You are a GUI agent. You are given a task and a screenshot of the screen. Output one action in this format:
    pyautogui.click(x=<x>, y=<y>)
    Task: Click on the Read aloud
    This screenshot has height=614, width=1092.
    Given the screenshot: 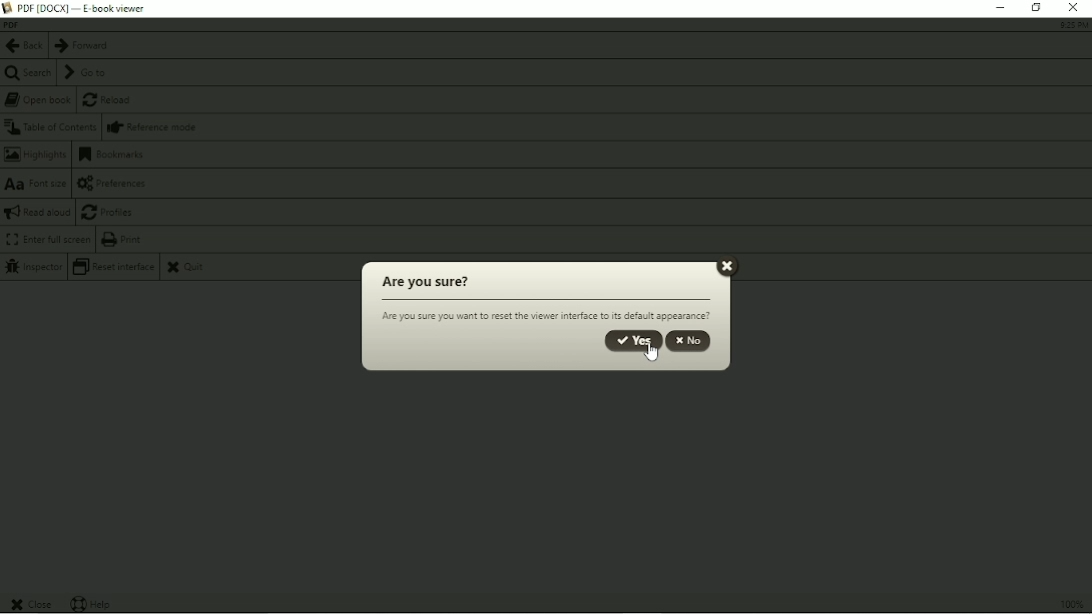 What is the action you would take?
    pyautogui.click(x=37, y=212)
    